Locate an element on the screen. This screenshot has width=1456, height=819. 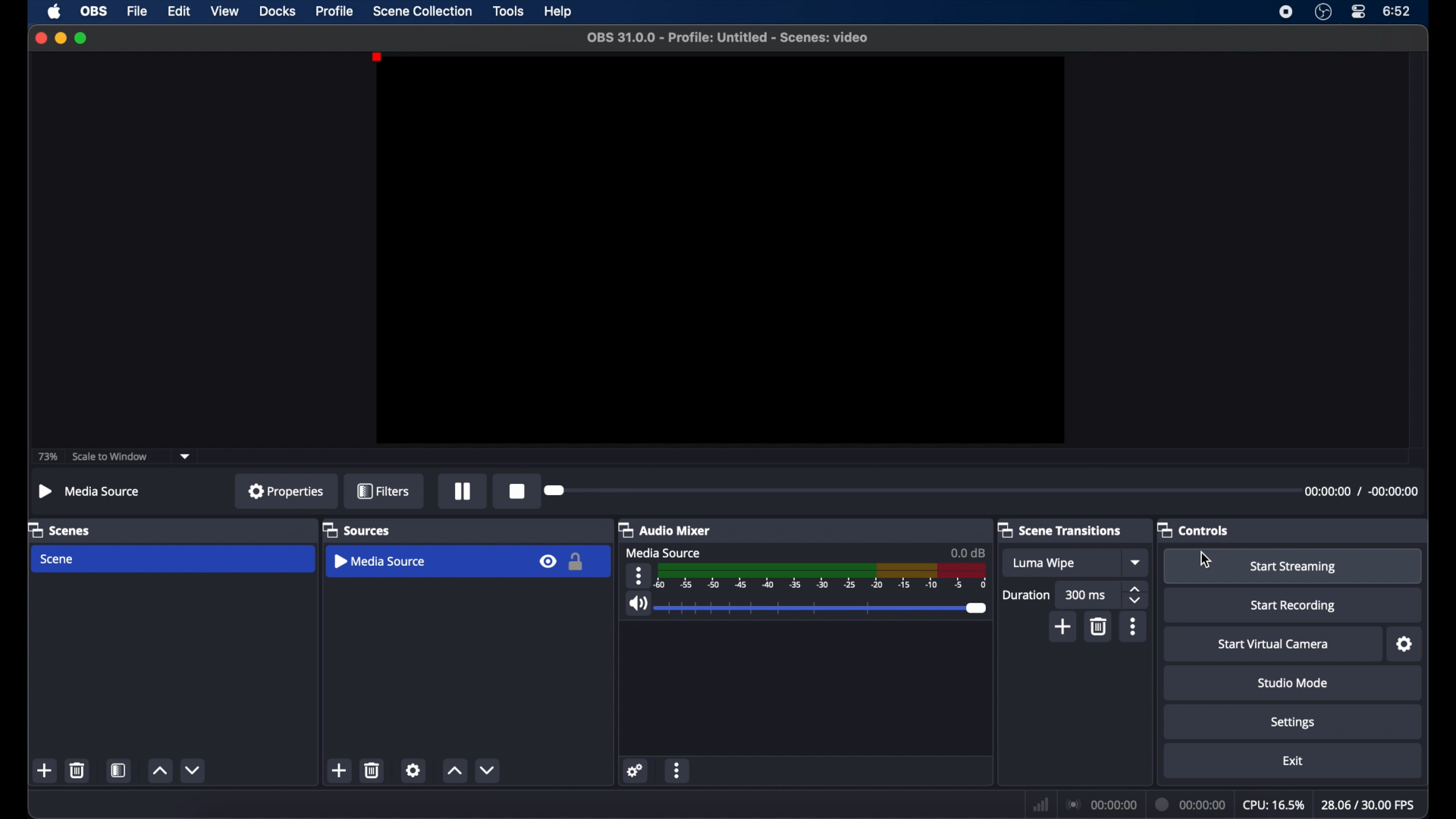
timestamps is located at coordinates (1360, 491).